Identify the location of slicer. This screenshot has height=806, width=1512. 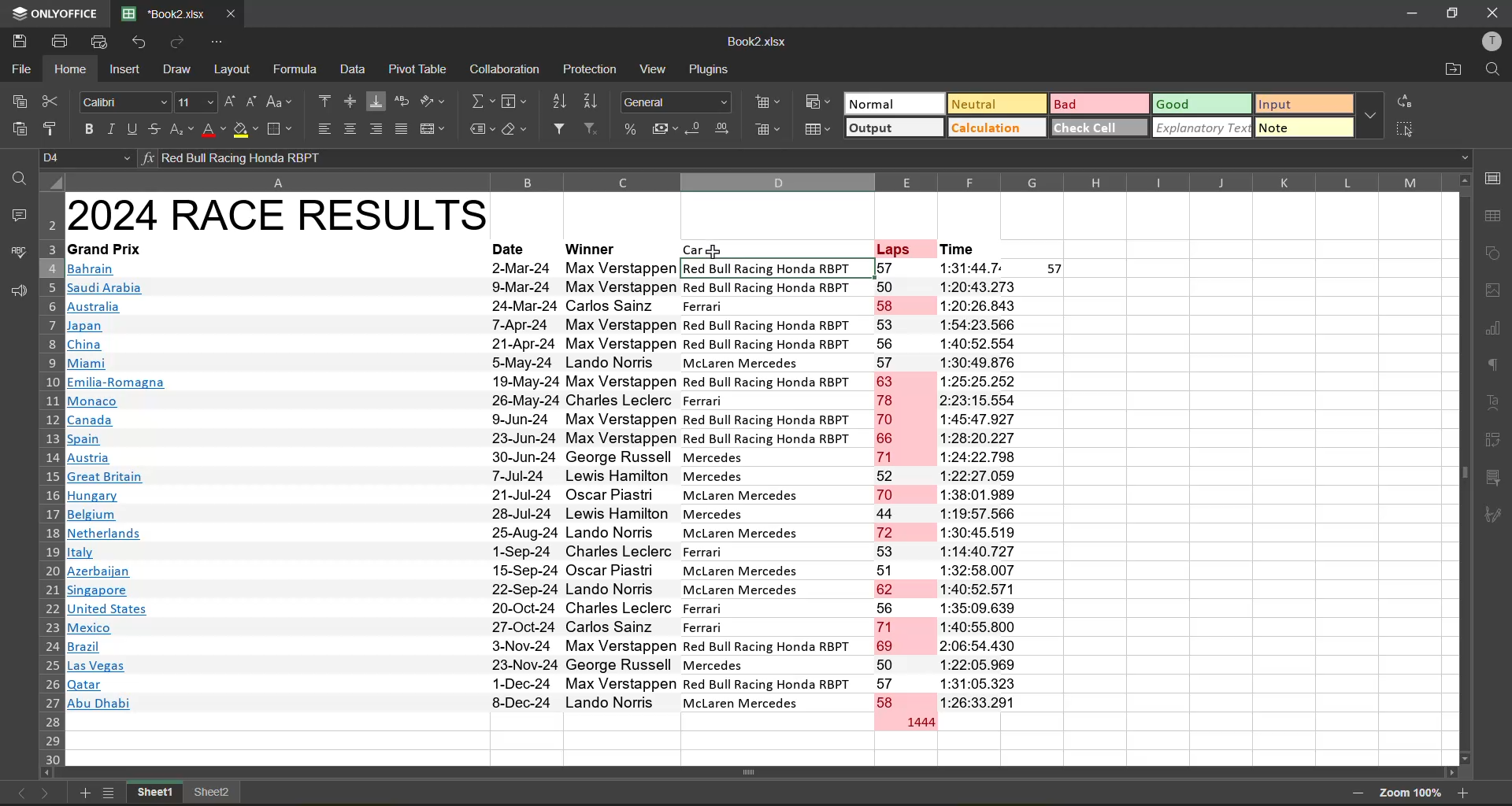
(1494, 477).